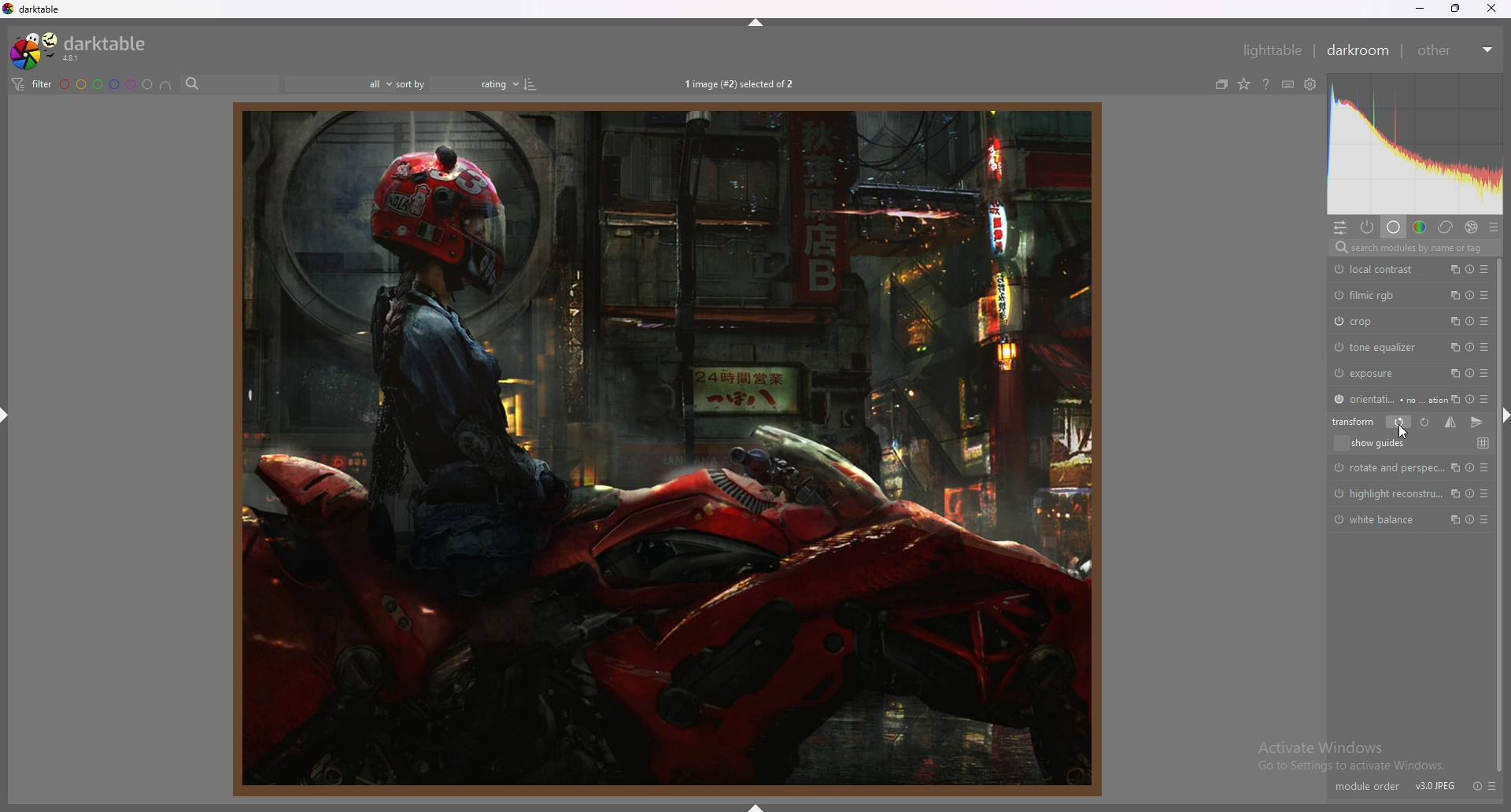  I want to click on presets, so click(1488, 269).